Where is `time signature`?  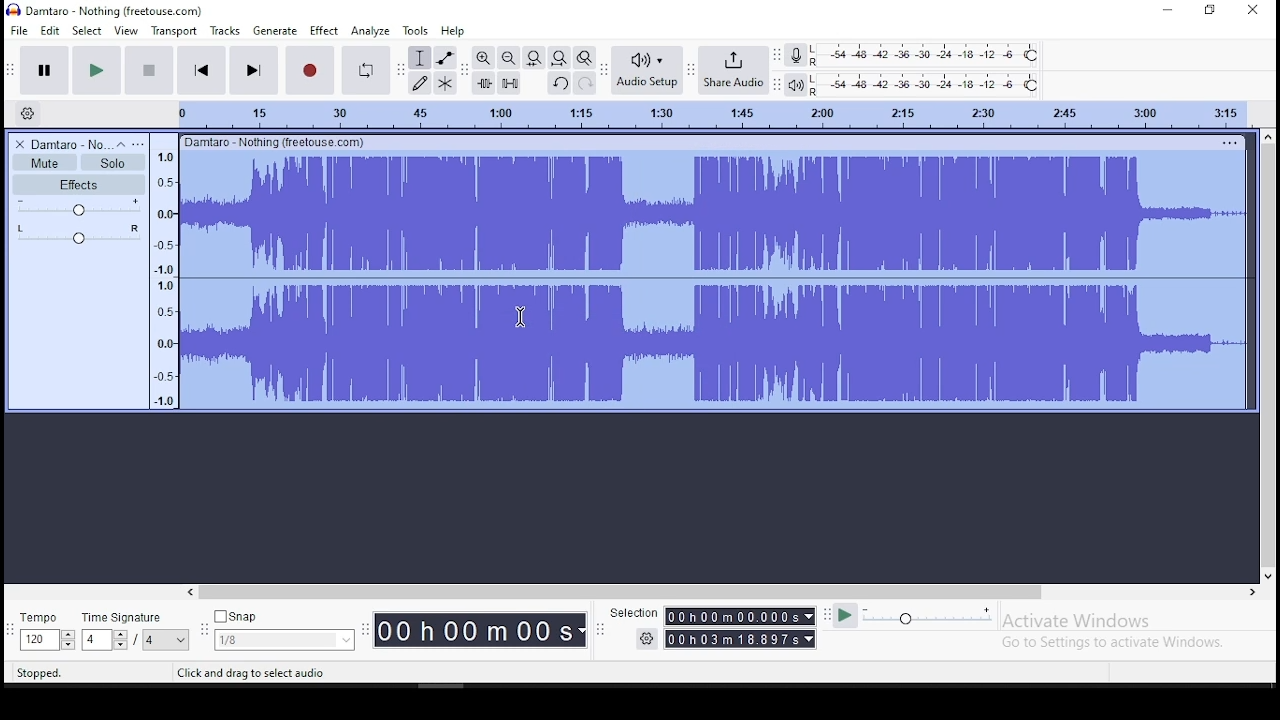
time signature is located at coordinates (124, 618).